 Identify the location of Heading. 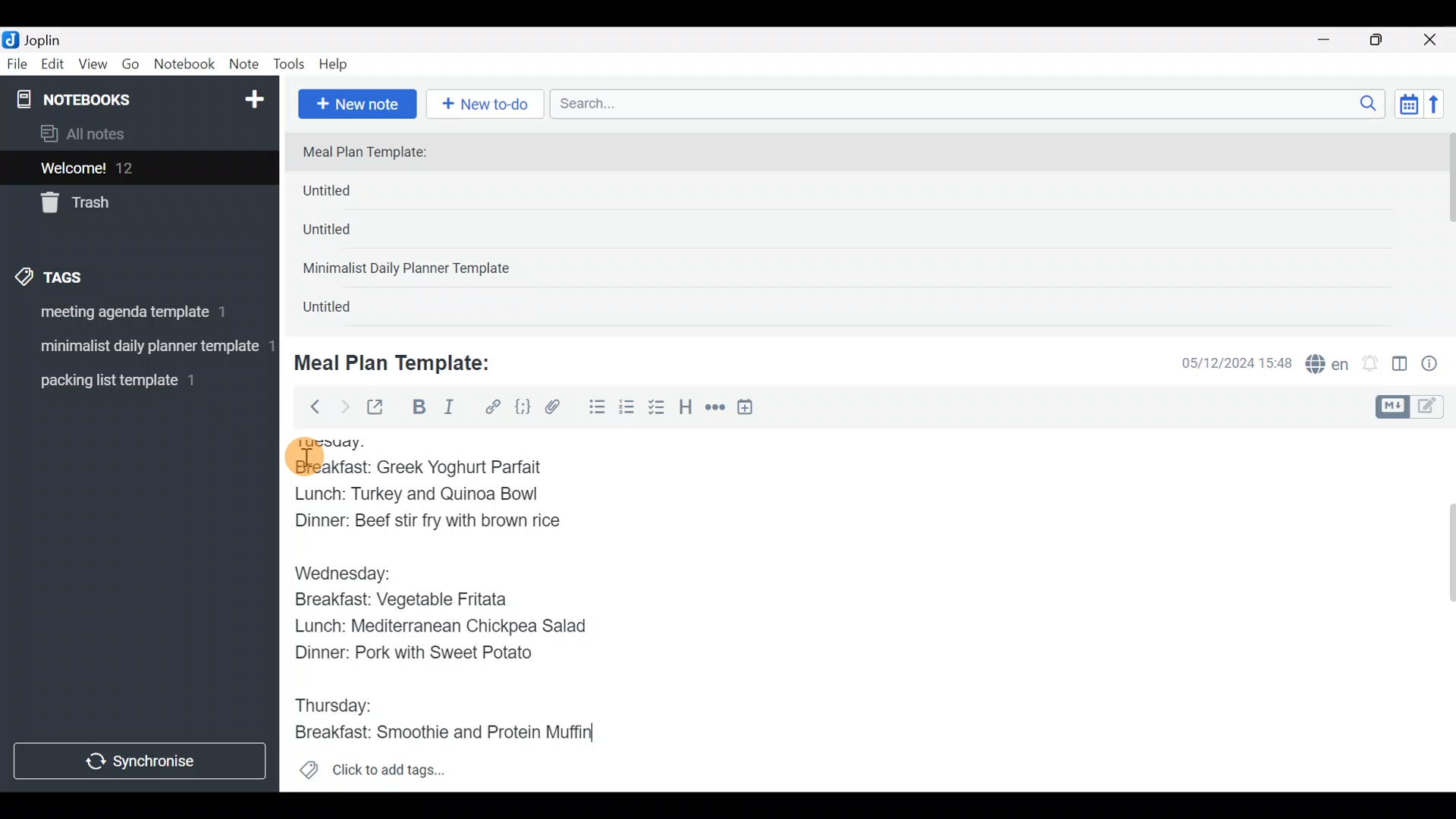
(686, 409).